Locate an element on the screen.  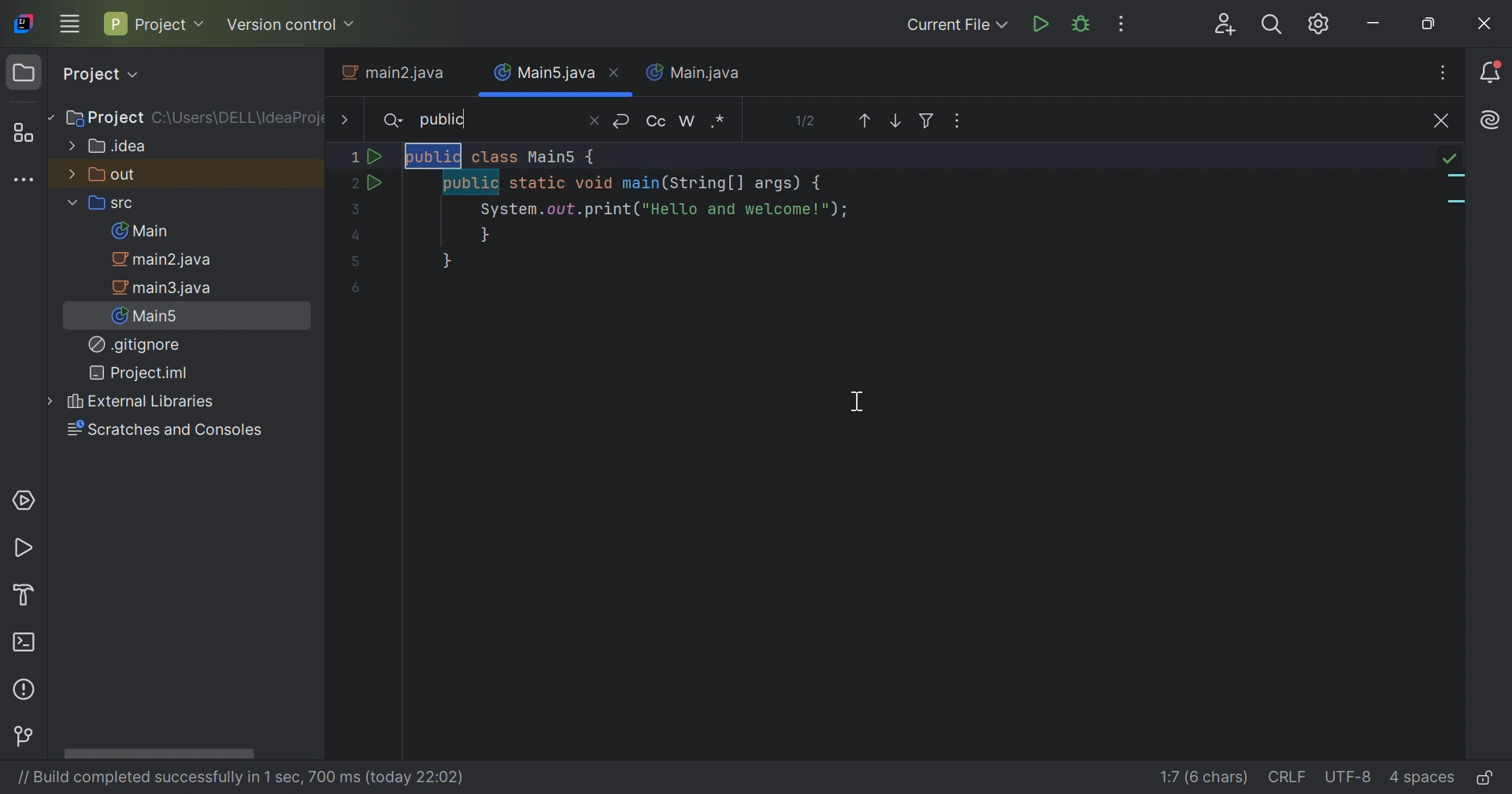
Regex is located at coordinates (717, 121).